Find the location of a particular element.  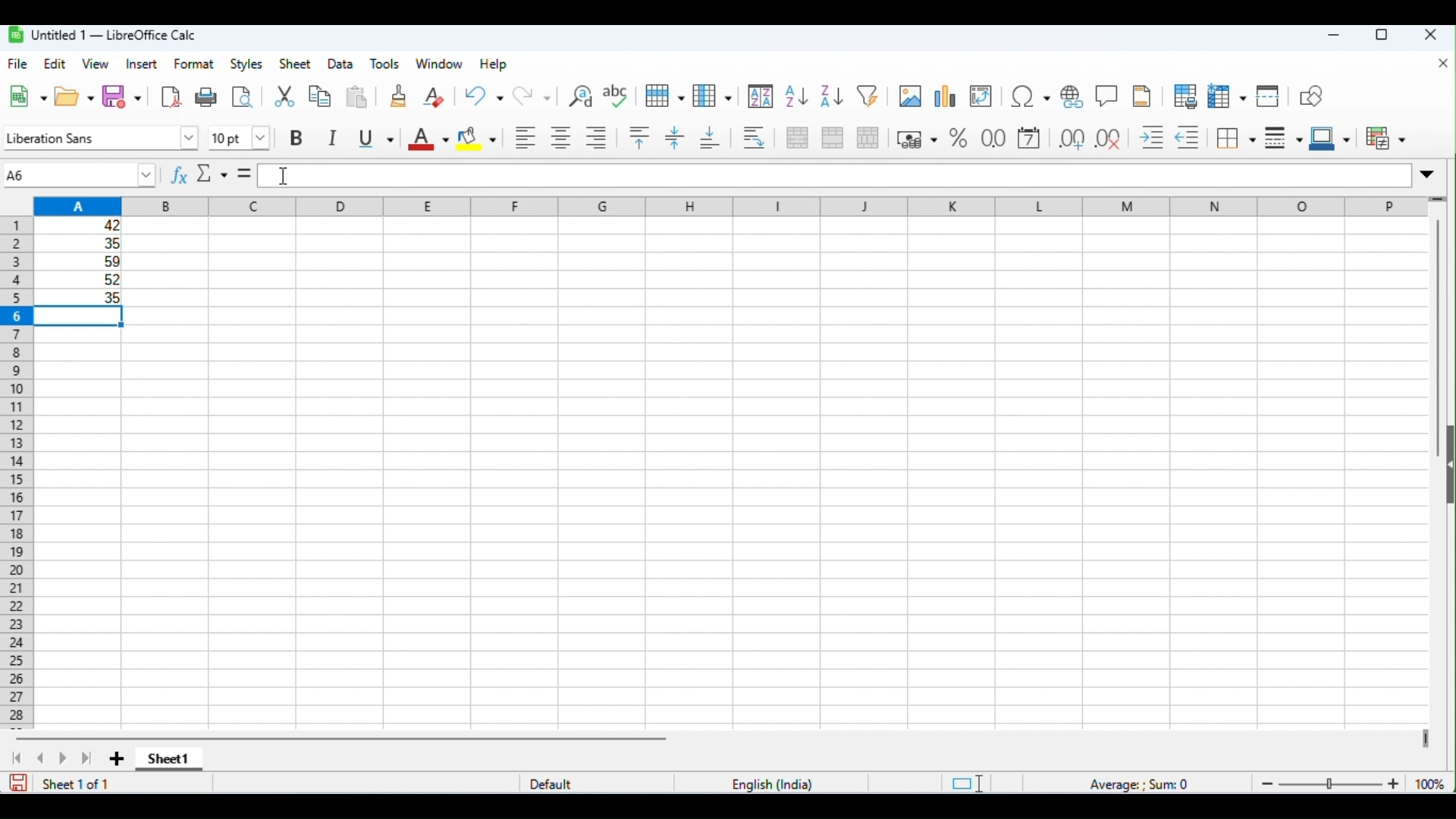

insert is located at coordinates (141, 64).